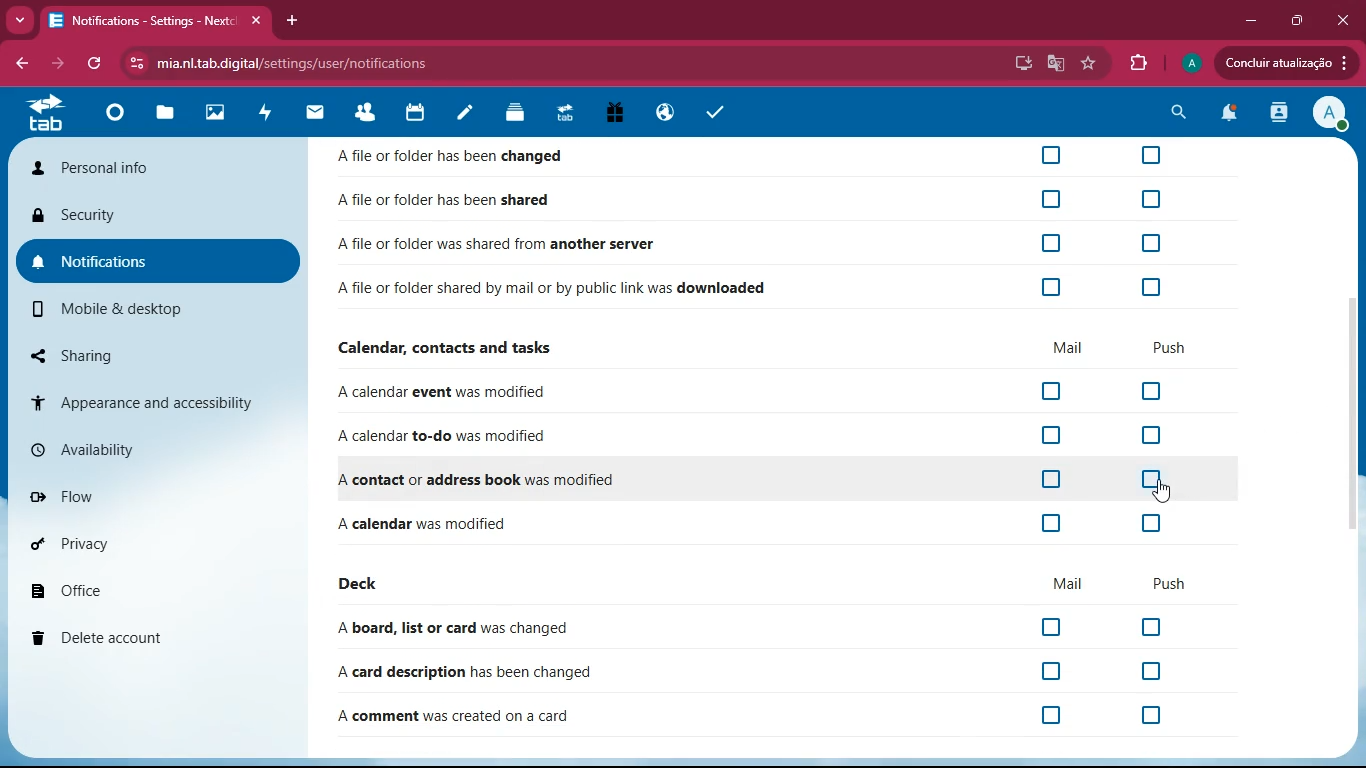 This screenshot has height=768, width=1366. Describe the element at coordinates (1175, 112) in the screenshot. I see `search` at that location.